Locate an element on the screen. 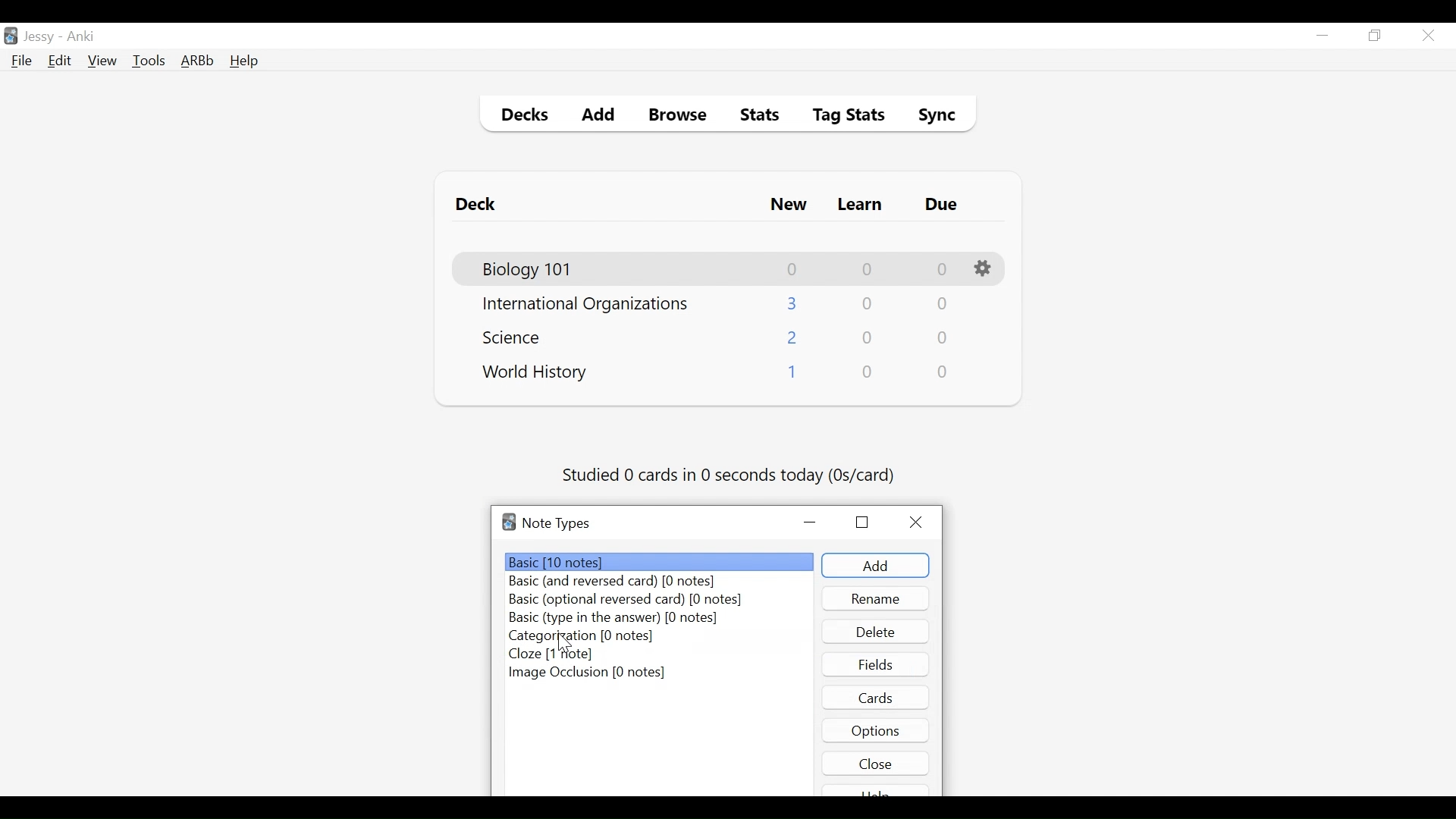 This screenshot has height=819, width=1456. Due Card Count is located at coordinates (943, 339).